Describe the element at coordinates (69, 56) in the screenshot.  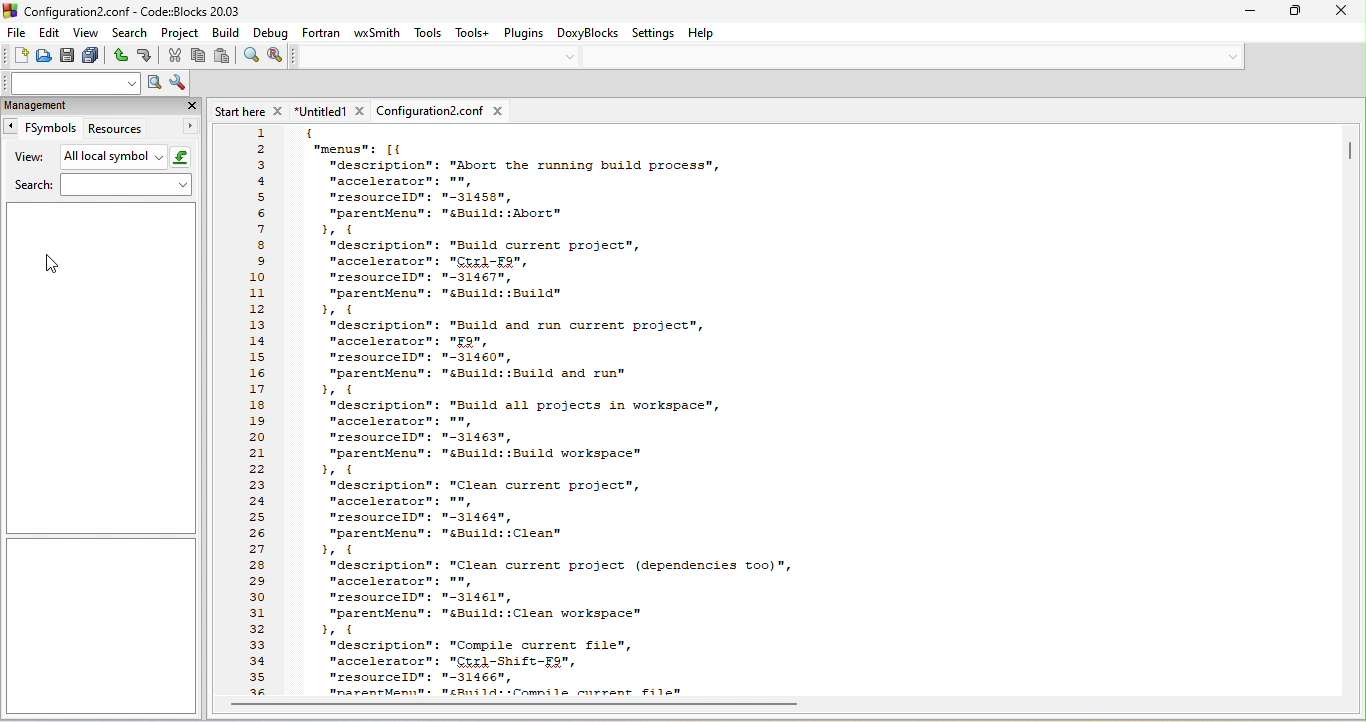
I see `save` at that location.